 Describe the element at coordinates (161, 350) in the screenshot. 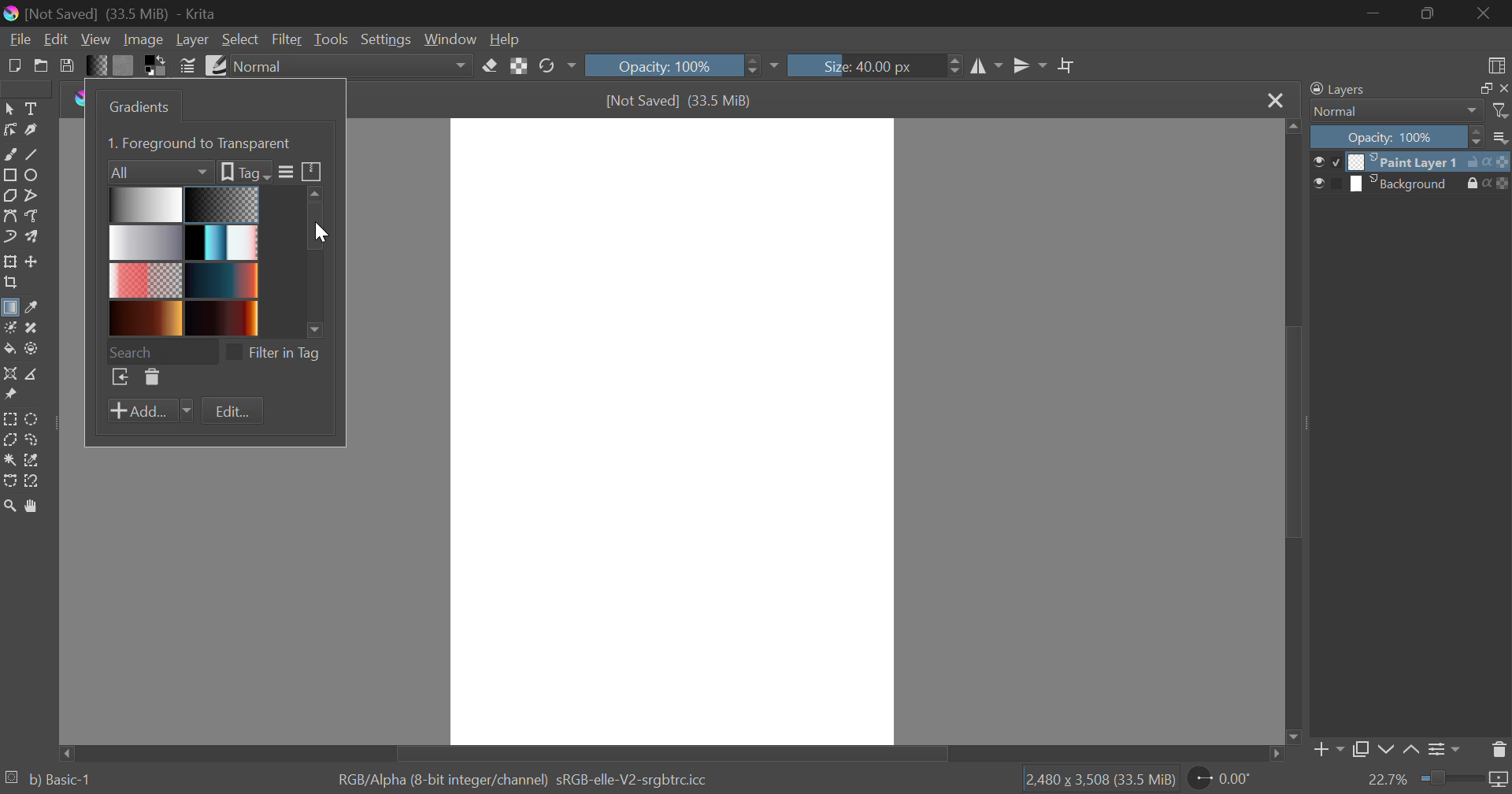

I see `Search` at that location.